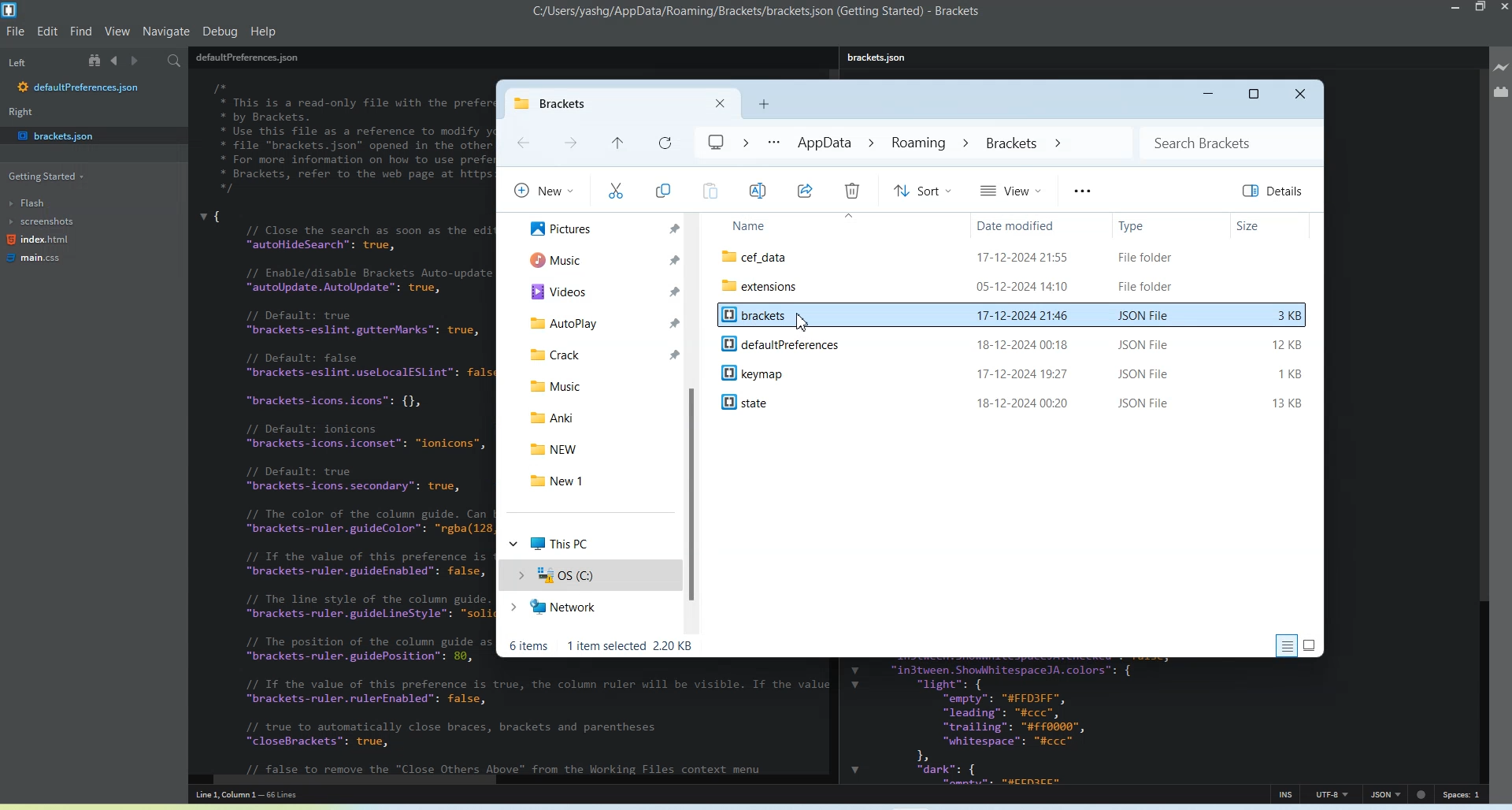  What do you see at coordinates (1014, 285) in the screenshot?
I see `Extensions` at bounding box center [1014, 285].